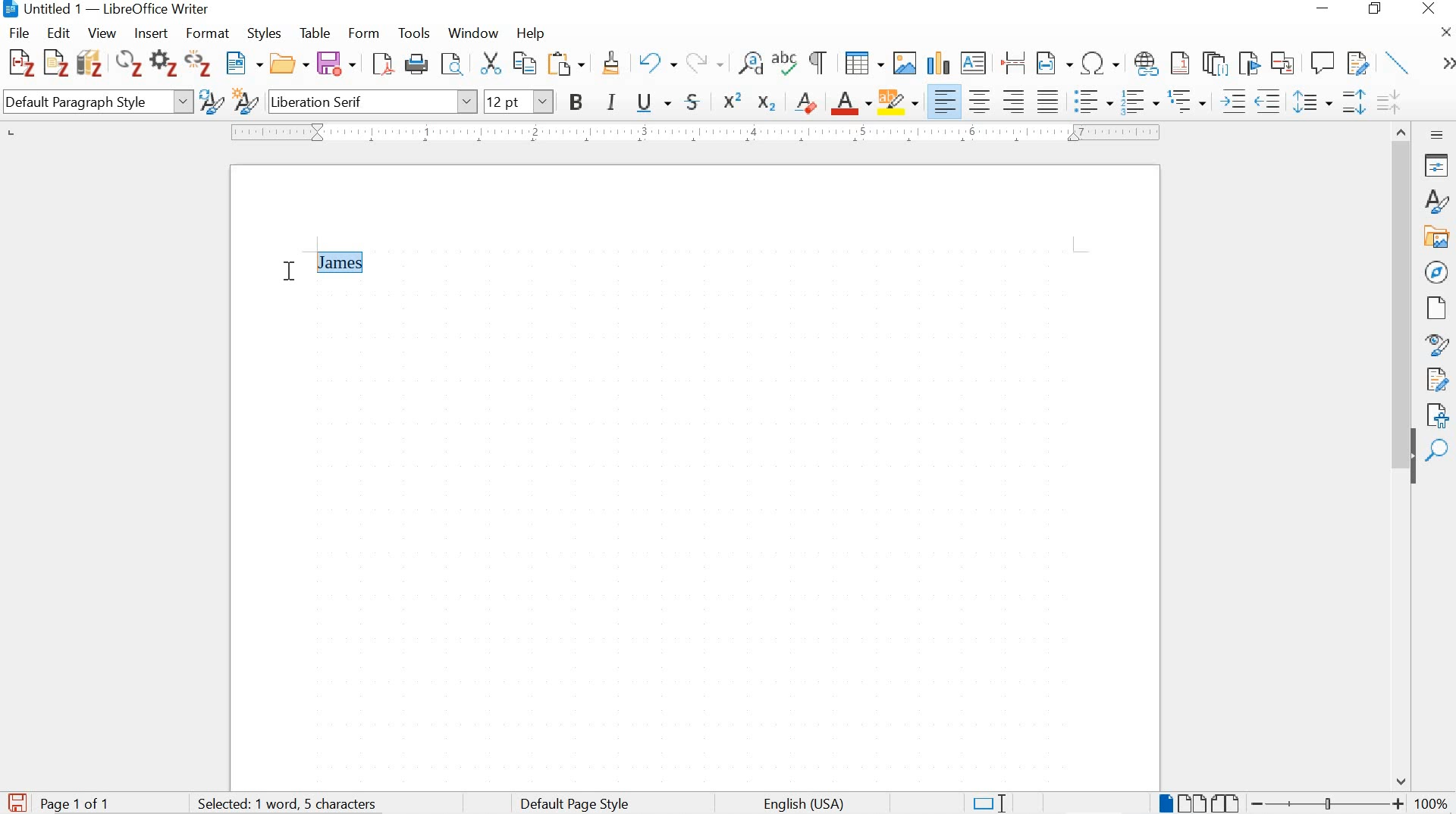 The height and width of the screenshot is (814, 1456). Describe the element at coordinates (519, 101) in the screenshot. I see `font size` at that location.